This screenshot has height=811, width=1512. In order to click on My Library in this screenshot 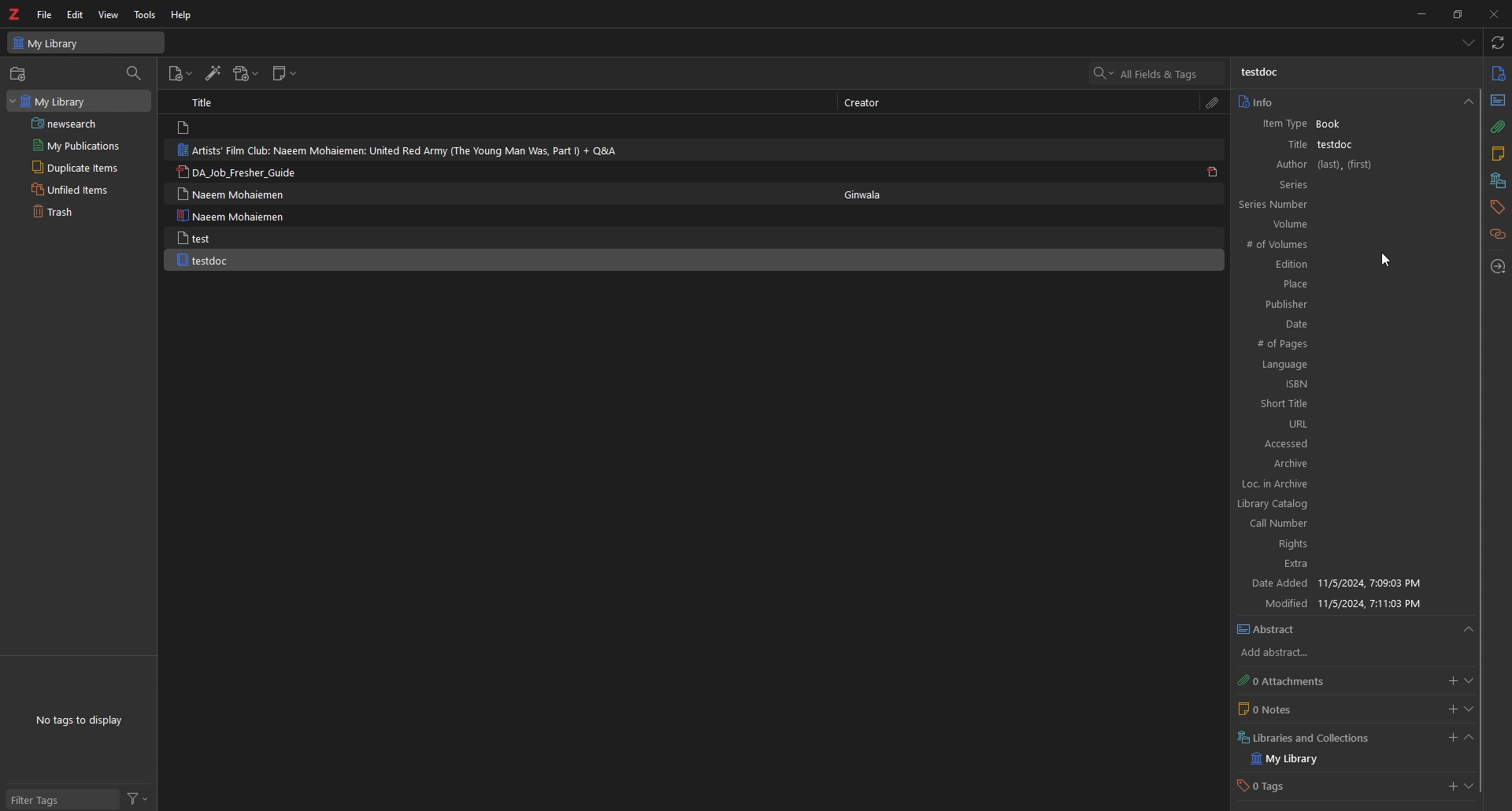, I will do `click(79, 102)`.